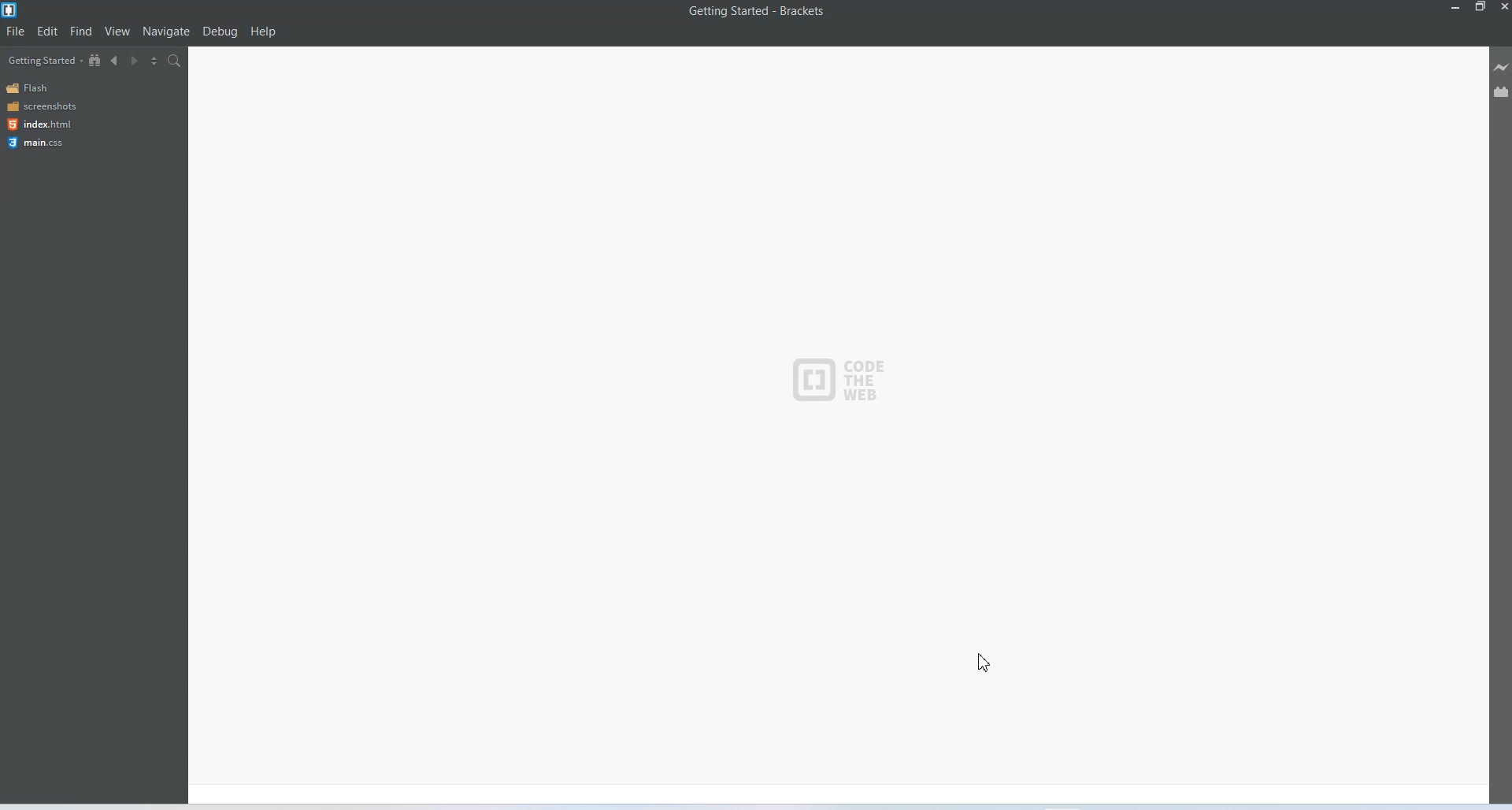 Image resolution: width=1512 pixels, height=810 pixels. What do you see at coordinates (96, 60) in the screenshot?
I see `Show in the file tree` at bounding box center [96, 60].